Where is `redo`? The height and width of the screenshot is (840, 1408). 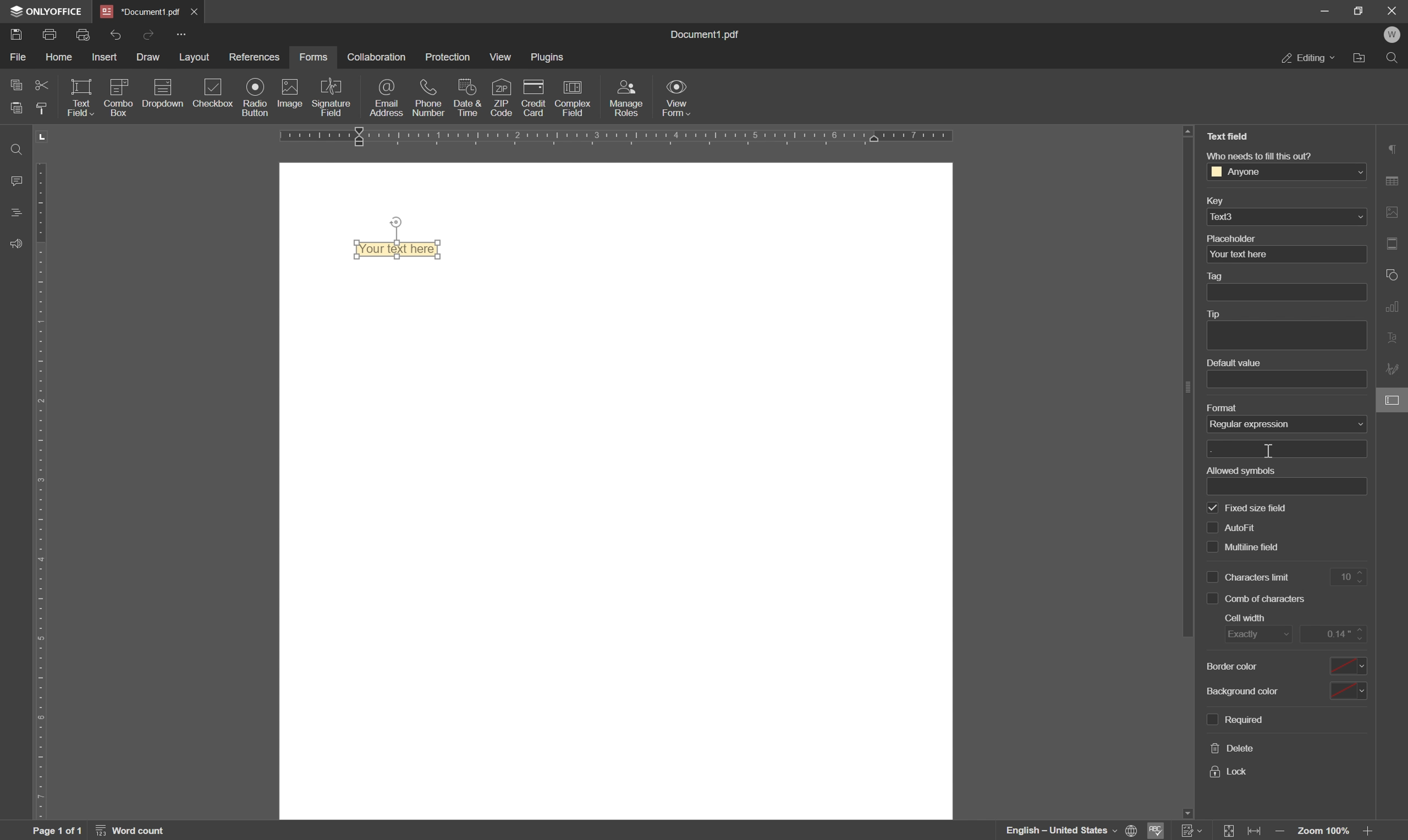 redo is located at coordinates (149, 33).